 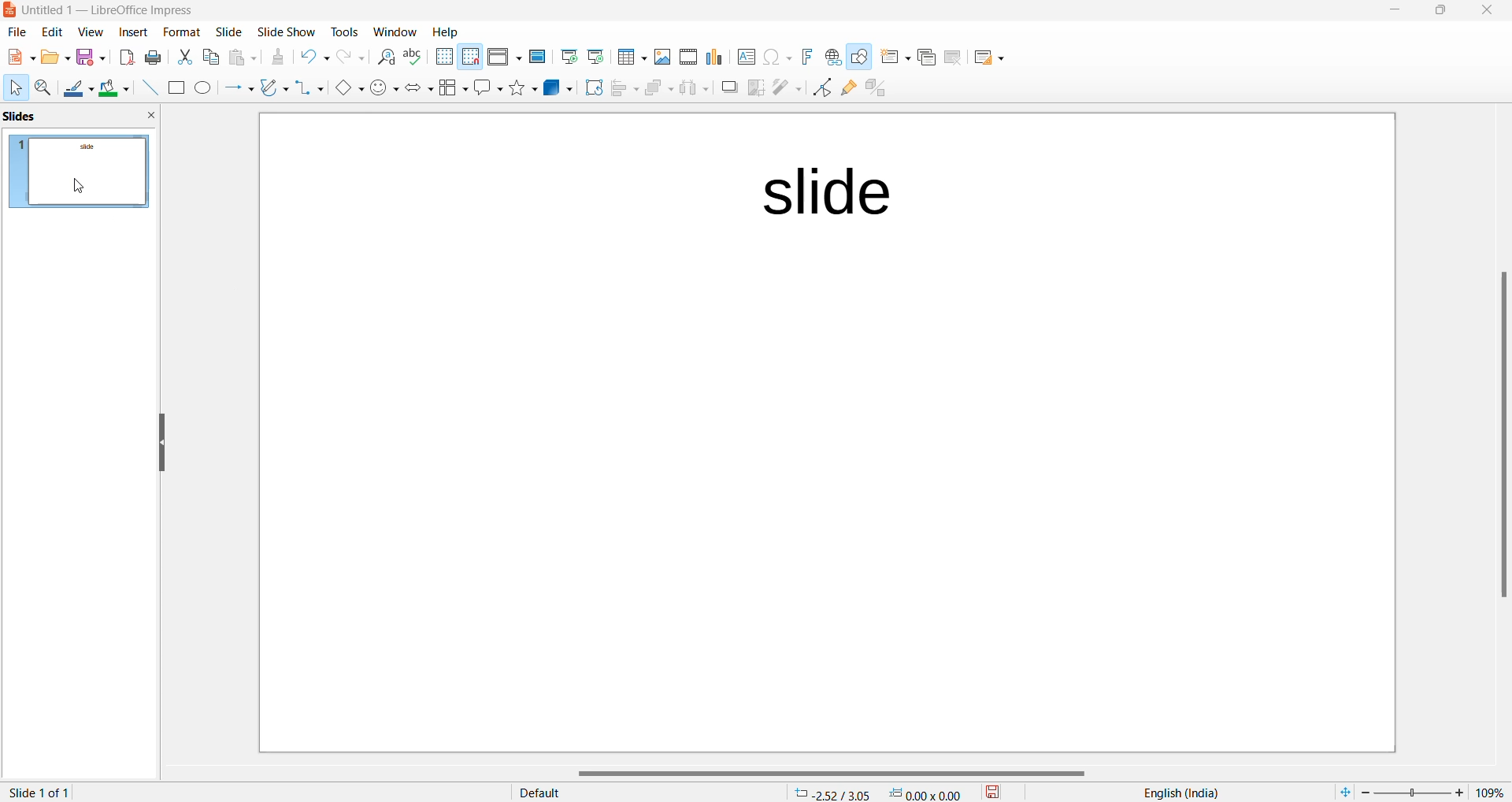 I want to click on print, so click(x=157, y=57).